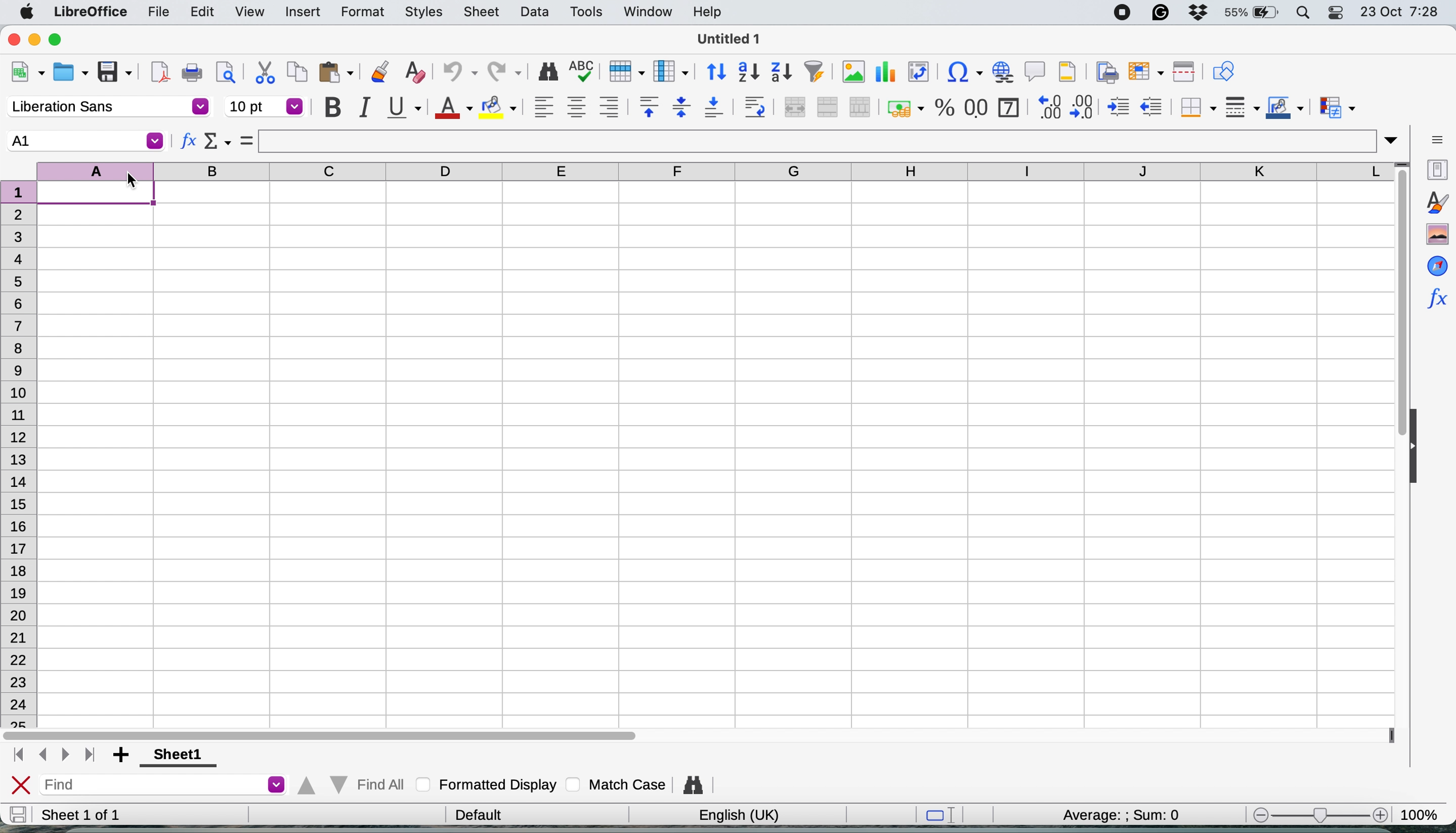  Describe the element at coordinates (795, 108) in the screenshot. I see `merge and center or unmerge` at that location.